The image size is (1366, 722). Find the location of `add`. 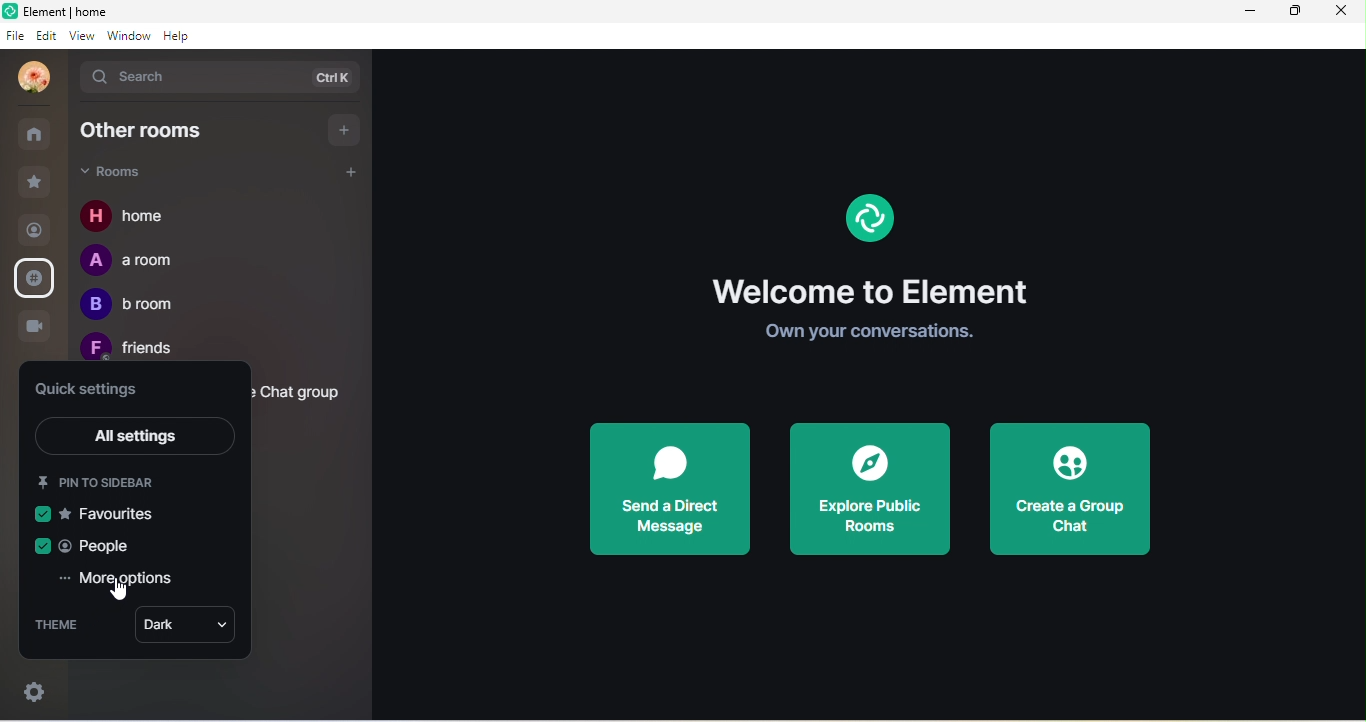

add is located at coordinates (345, 128).